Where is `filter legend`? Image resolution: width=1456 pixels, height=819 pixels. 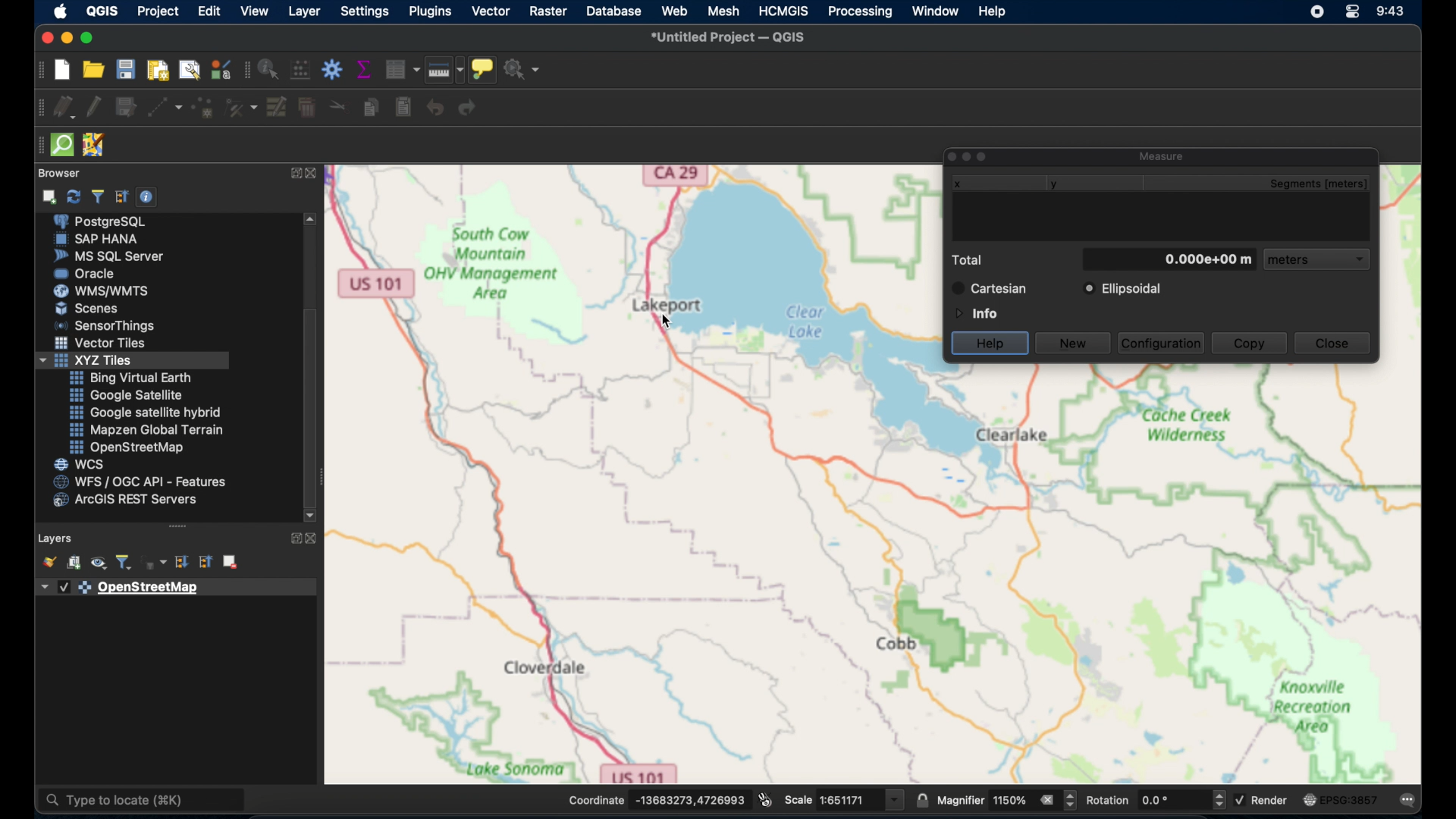 filter legend is located at coordinates (126, 563).